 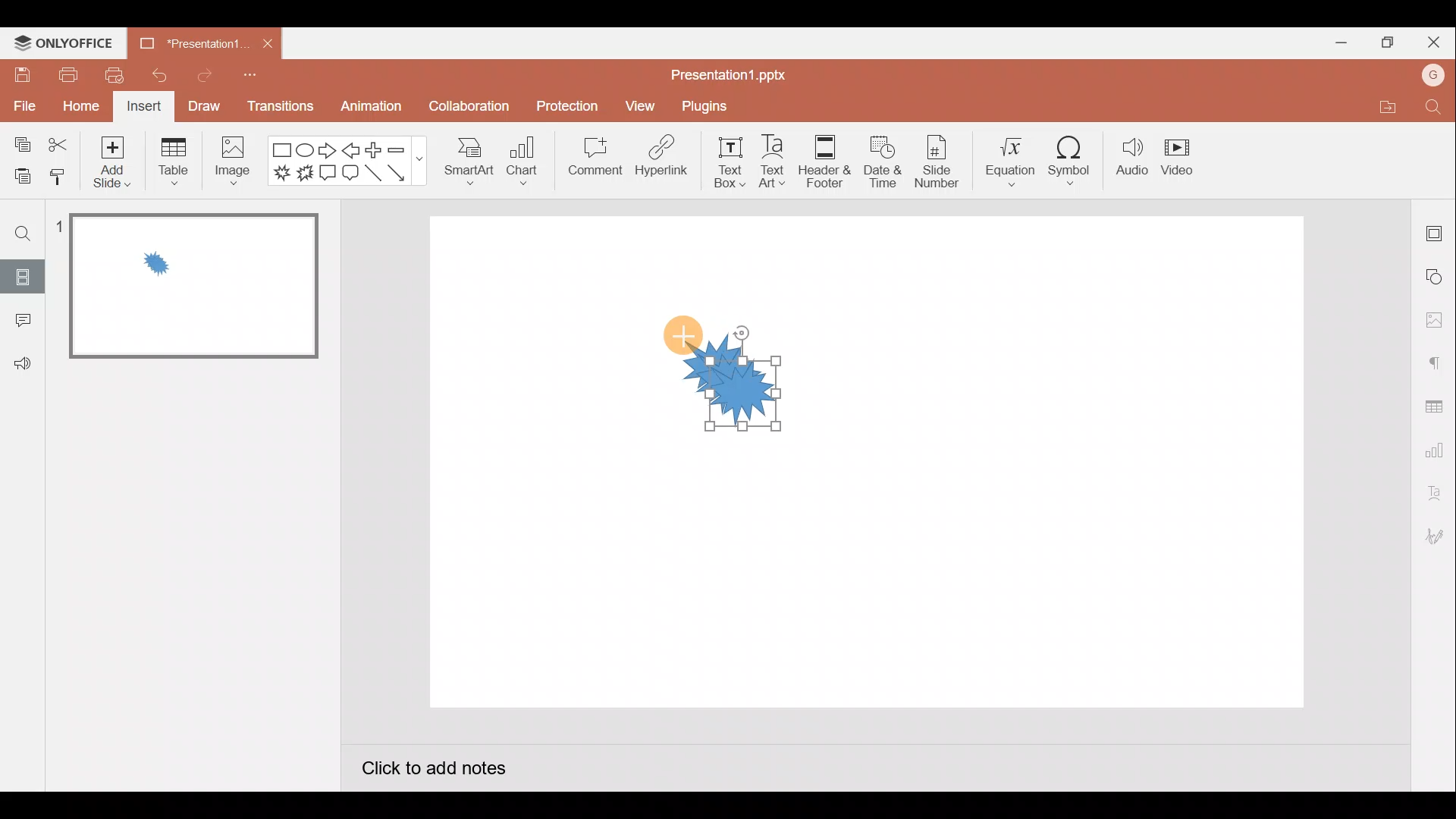 What do you see at coordinates (401, 174) in the screenshot?
I see `Arrow` at bounding box center [401, 174].